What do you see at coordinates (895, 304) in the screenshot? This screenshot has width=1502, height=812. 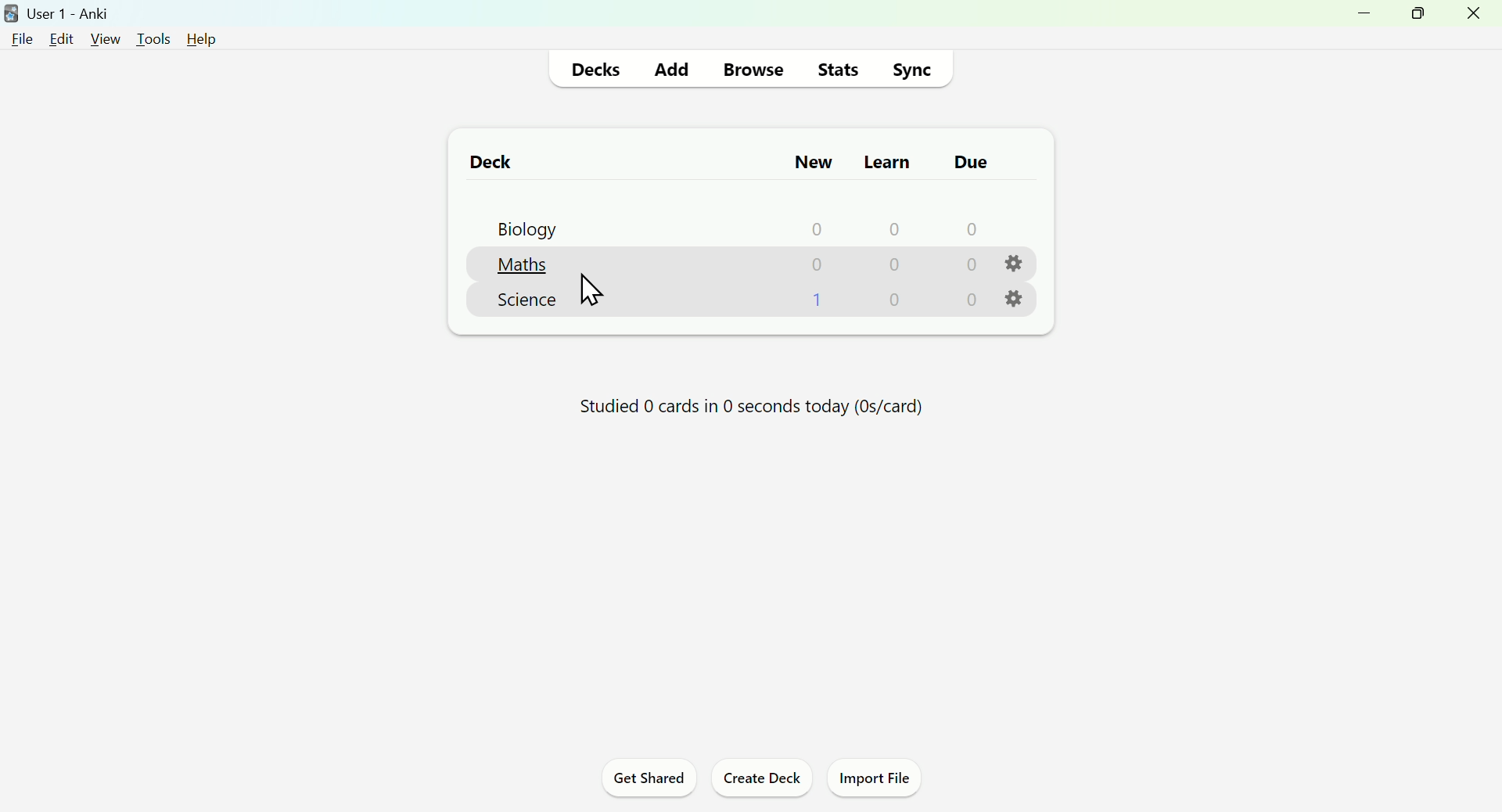 I see `0` at bounding box center [895, 304].